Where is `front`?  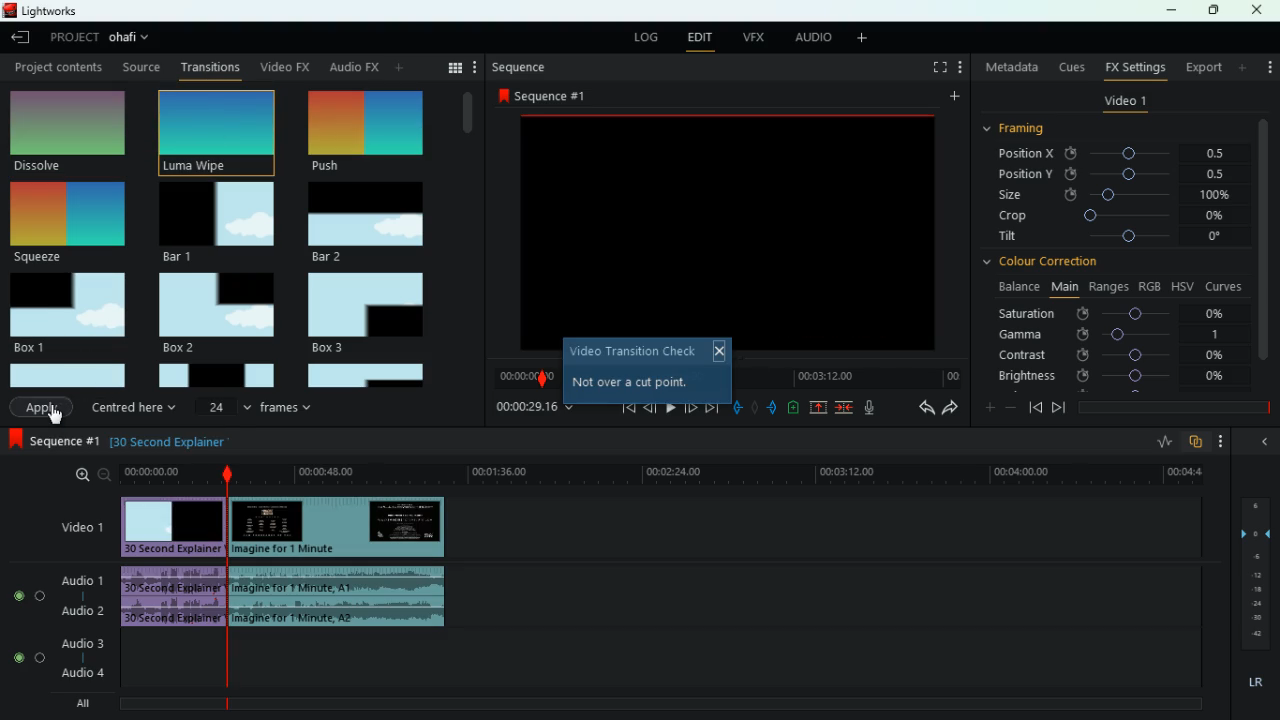
front is located at coordinates (1059, 407).